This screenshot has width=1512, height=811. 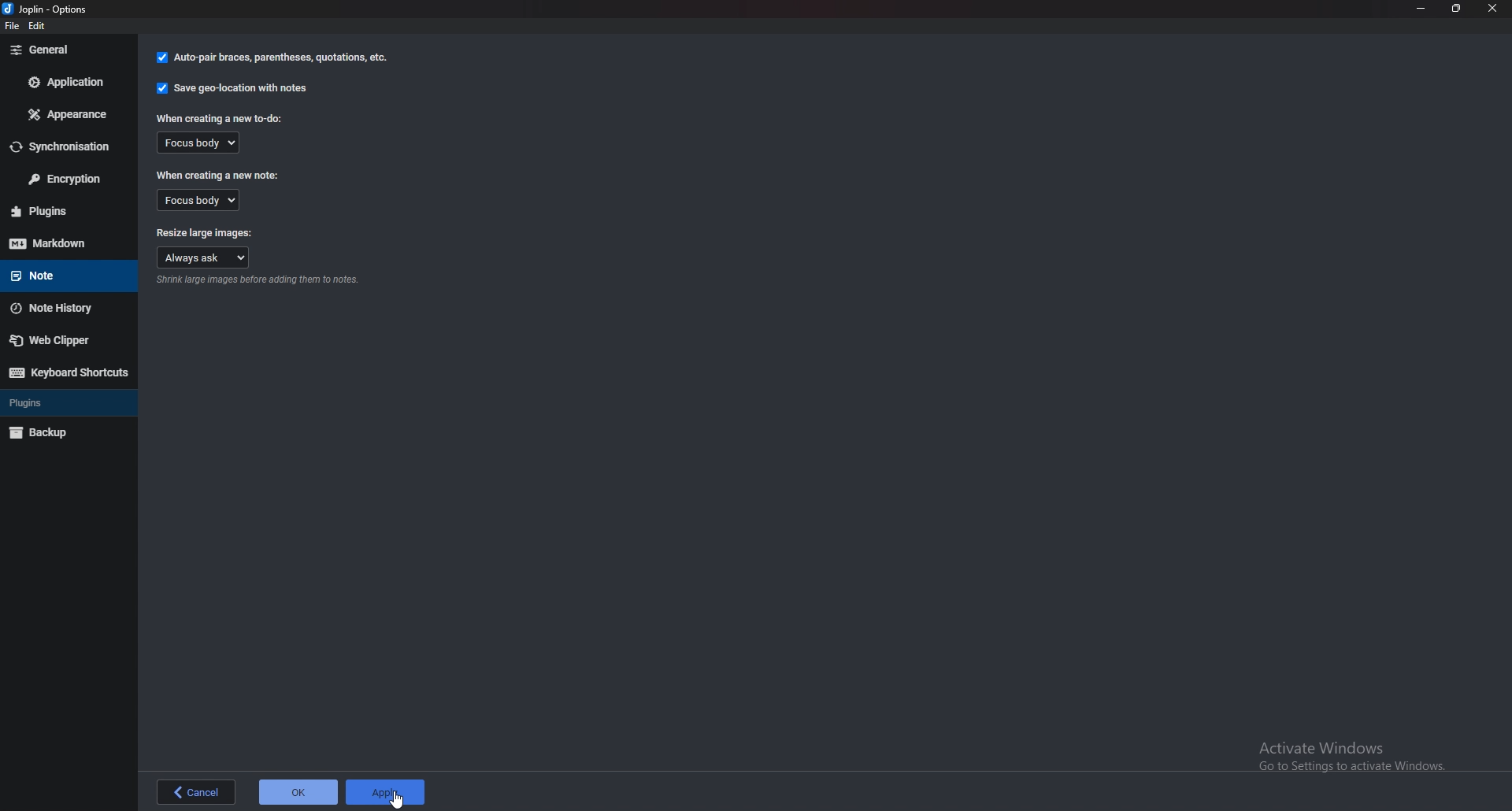 What do you see at coordinates (395, 800) in the screenshot?
I see `cursor` at bounding box center [395, 800].